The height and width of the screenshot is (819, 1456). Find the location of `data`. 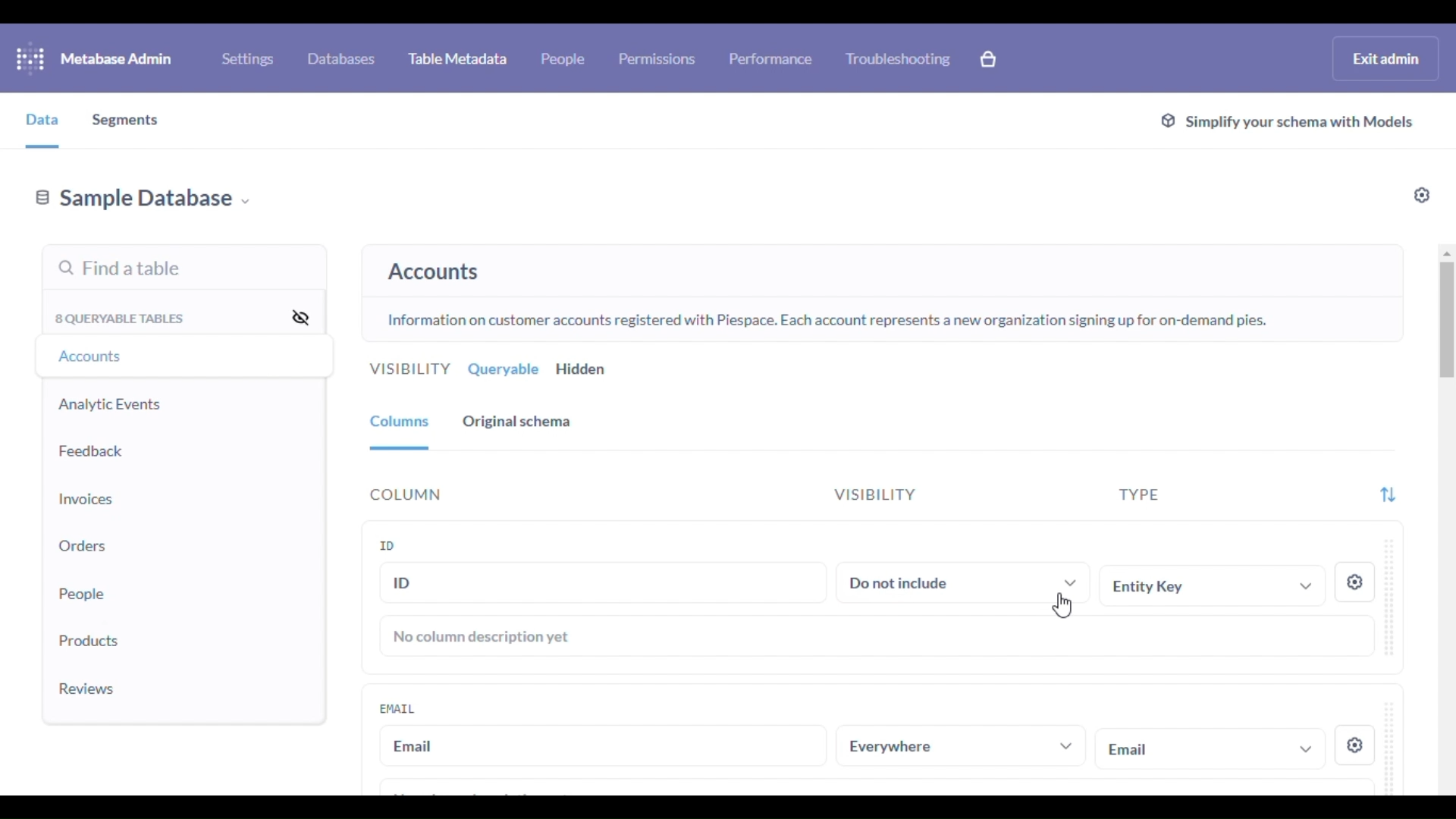

data is located at coordinates (42, 120).